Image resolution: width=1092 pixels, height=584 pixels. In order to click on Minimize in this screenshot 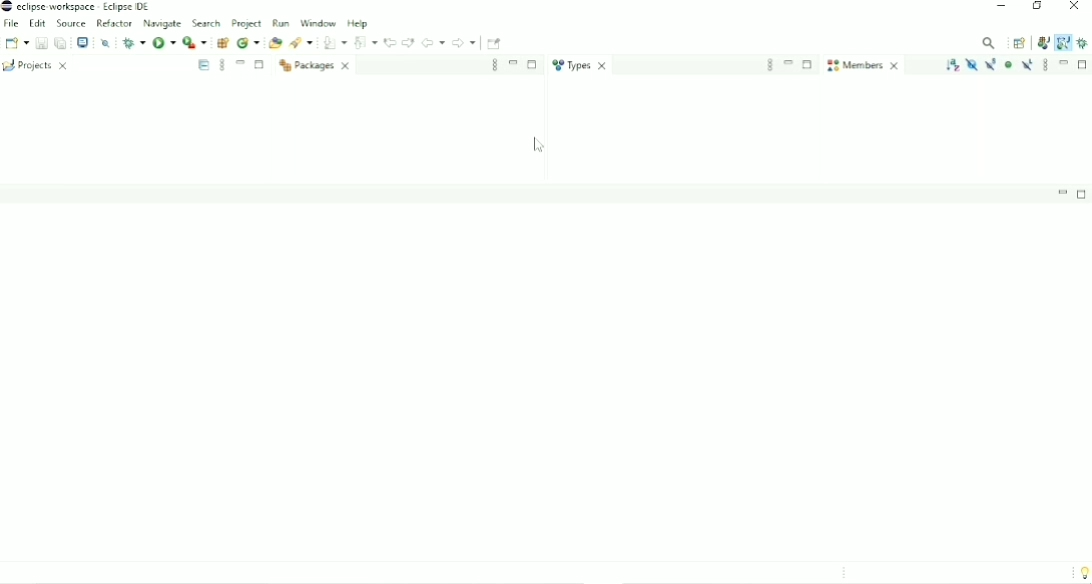, I will do `click(1064, 63)`.